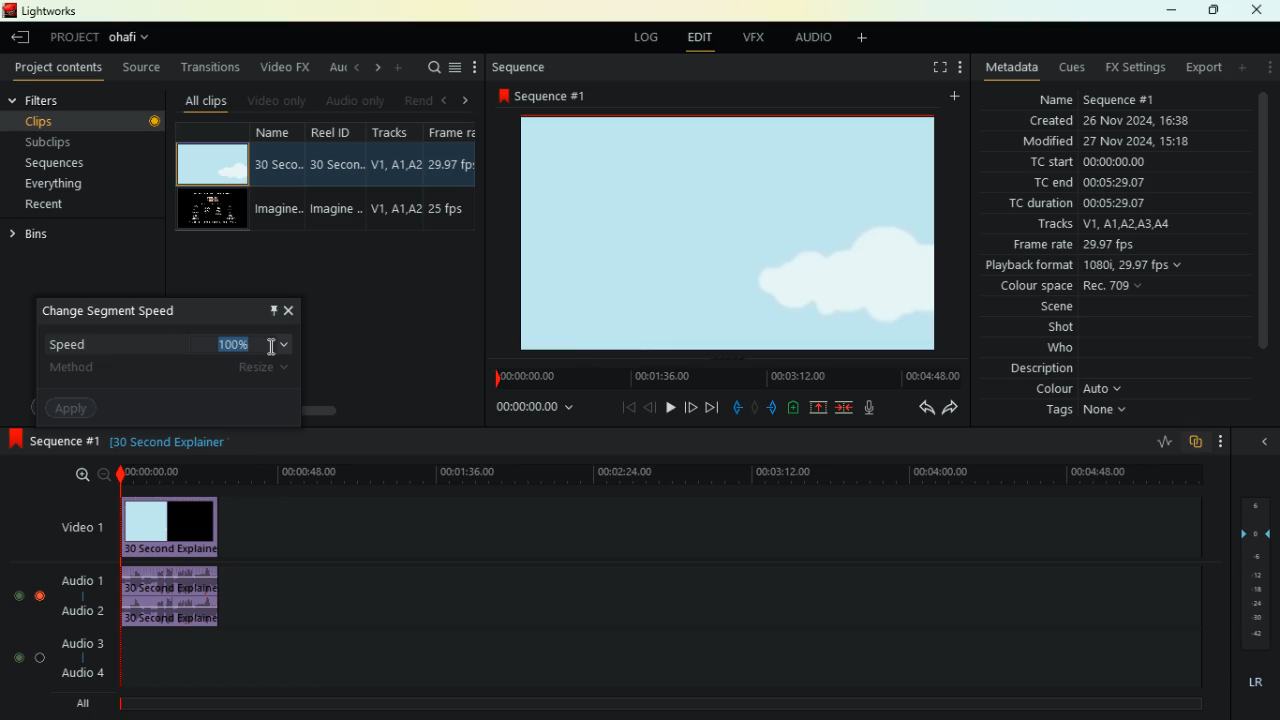 This screenshot has width=1280, height=720. I want to click on everything, so click(61, 184).